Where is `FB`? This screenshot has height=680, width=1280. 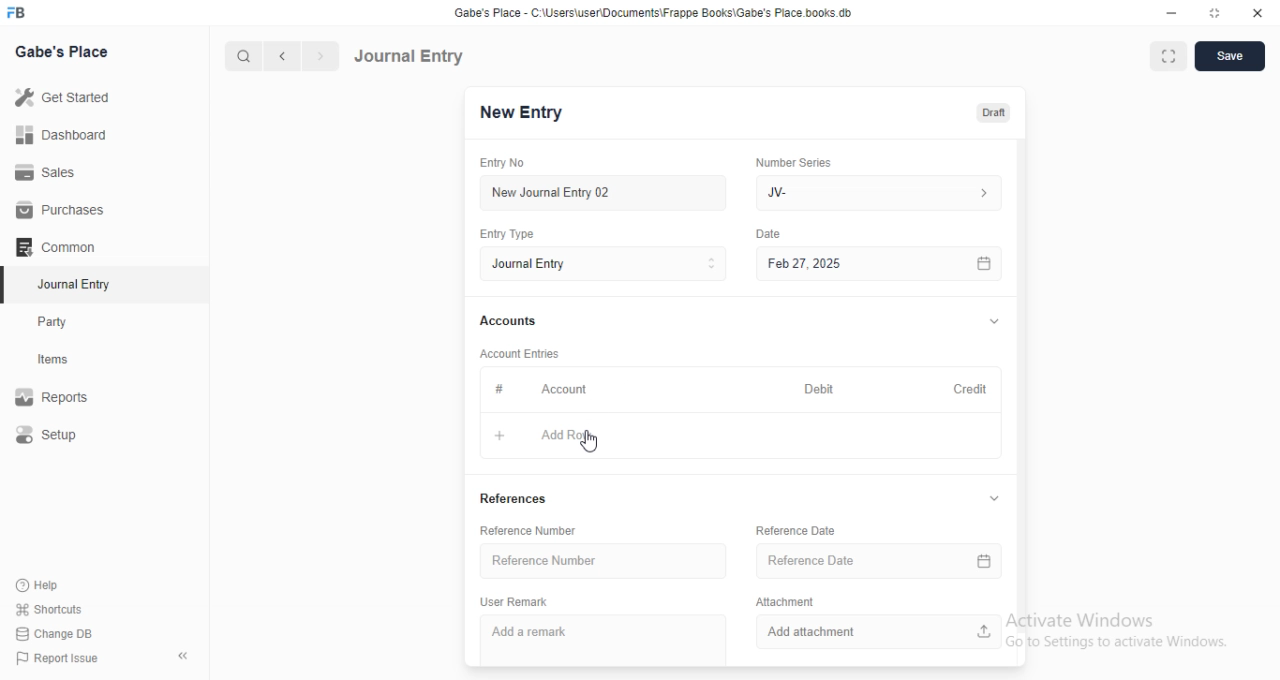 FB is located at coordinates (19, 11).